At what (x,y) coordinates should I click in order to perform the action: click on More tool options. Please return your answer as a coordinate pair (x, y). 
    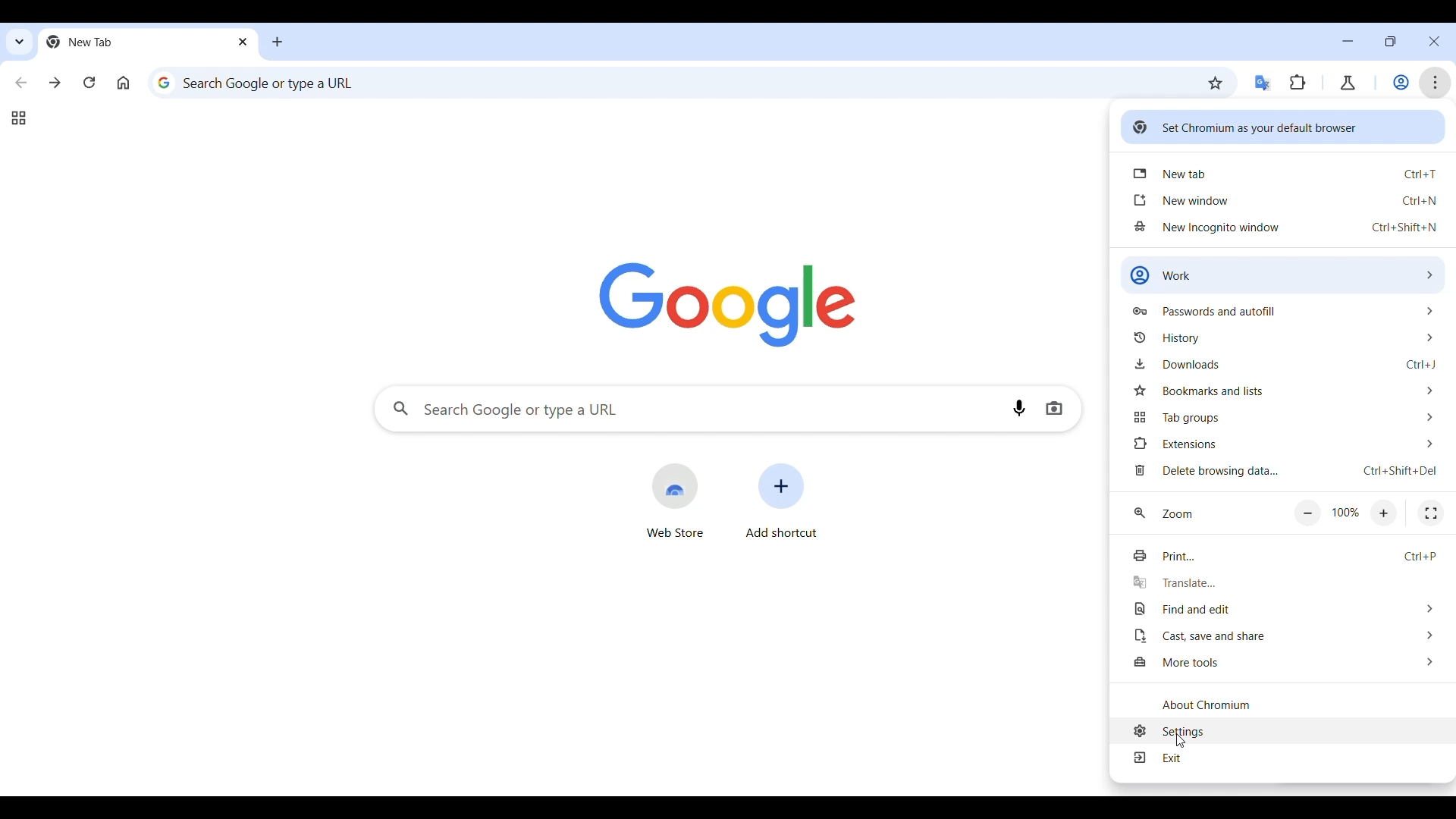
    Looking at the image, I should click on (1285, 662).